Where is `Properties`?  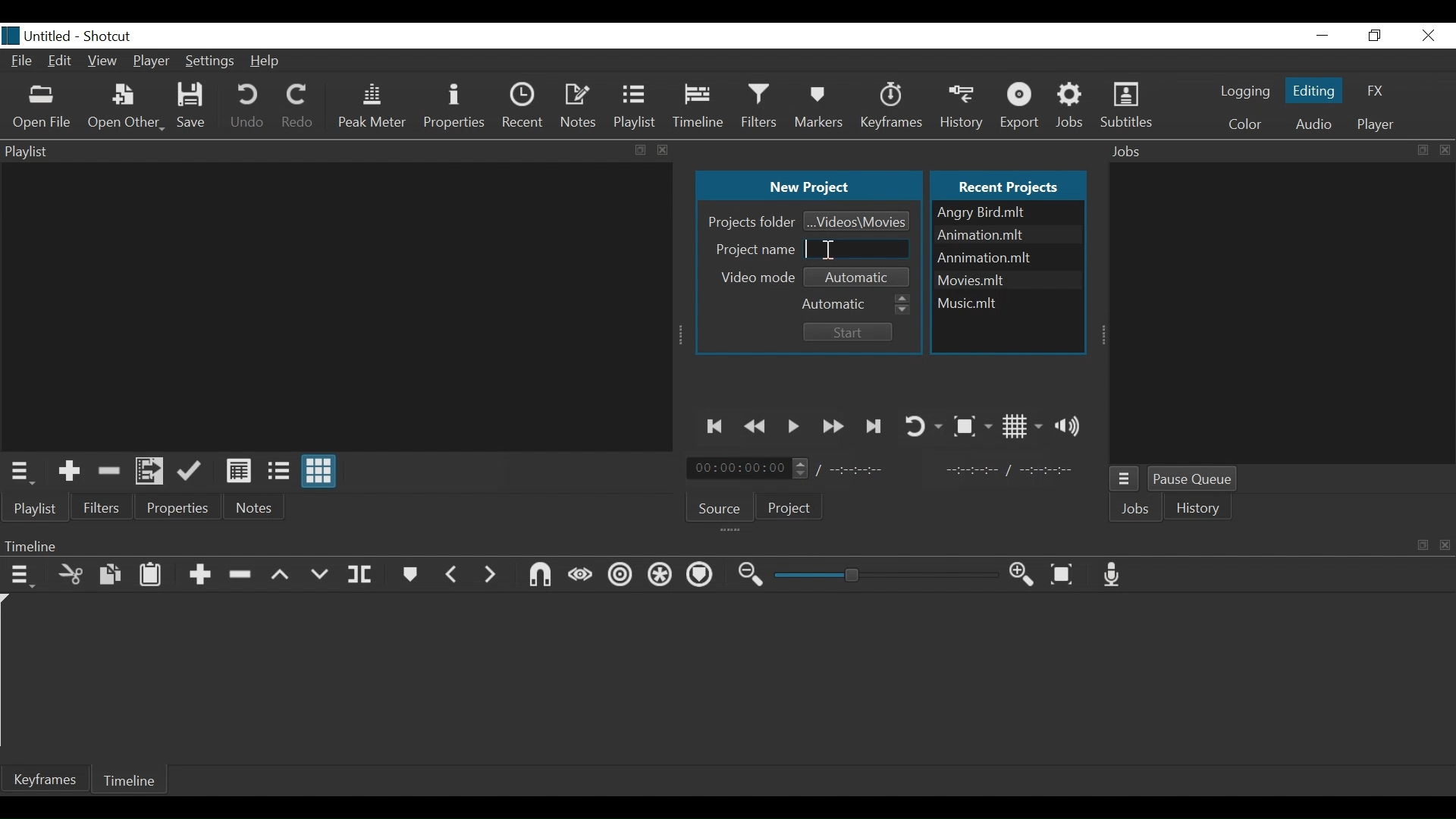 Properties is located at coordinates (453, 106).